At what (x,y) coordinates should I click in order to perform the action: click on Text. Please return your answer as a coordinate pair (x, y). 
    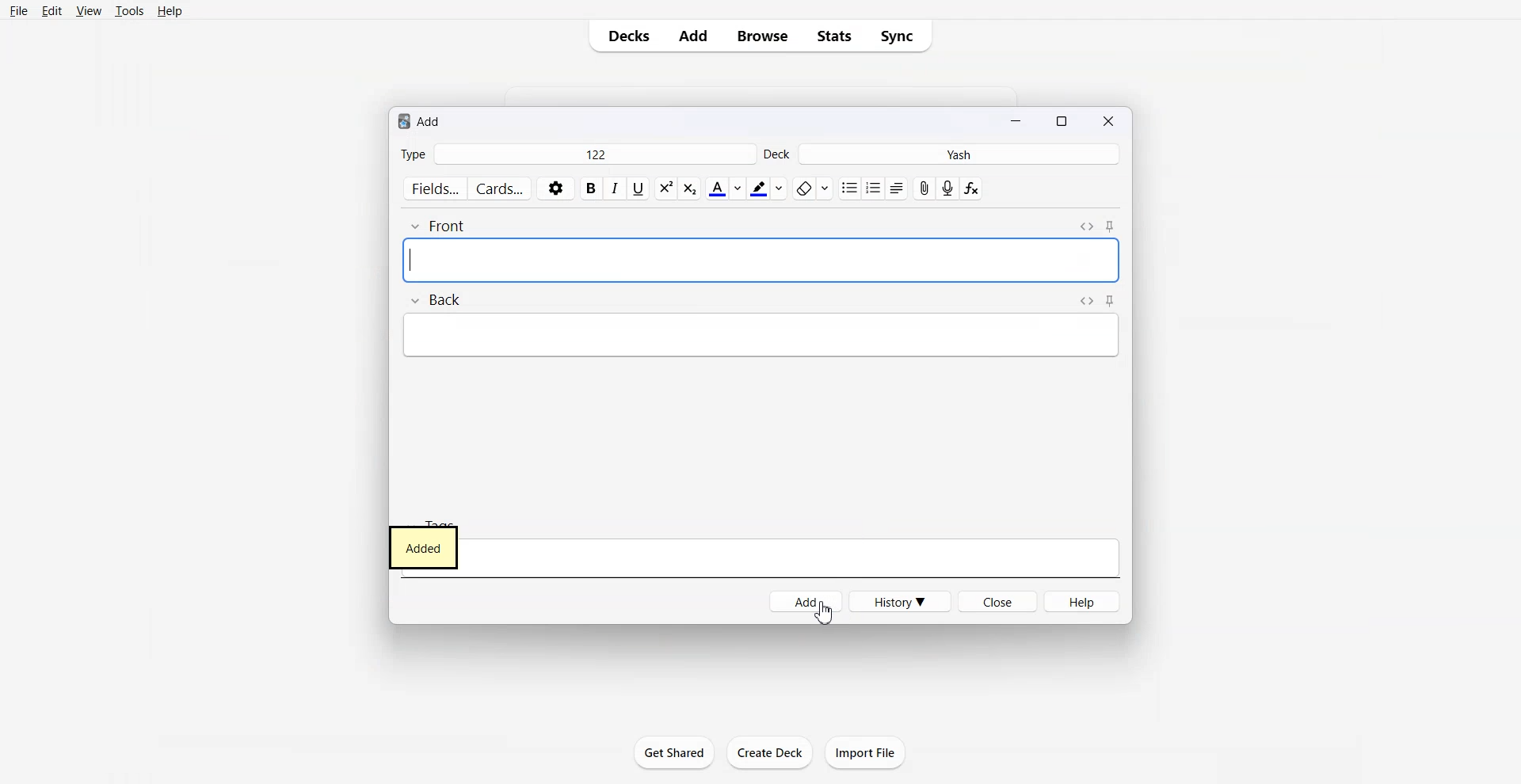
    Looking at the image, I should click on (422, 120).